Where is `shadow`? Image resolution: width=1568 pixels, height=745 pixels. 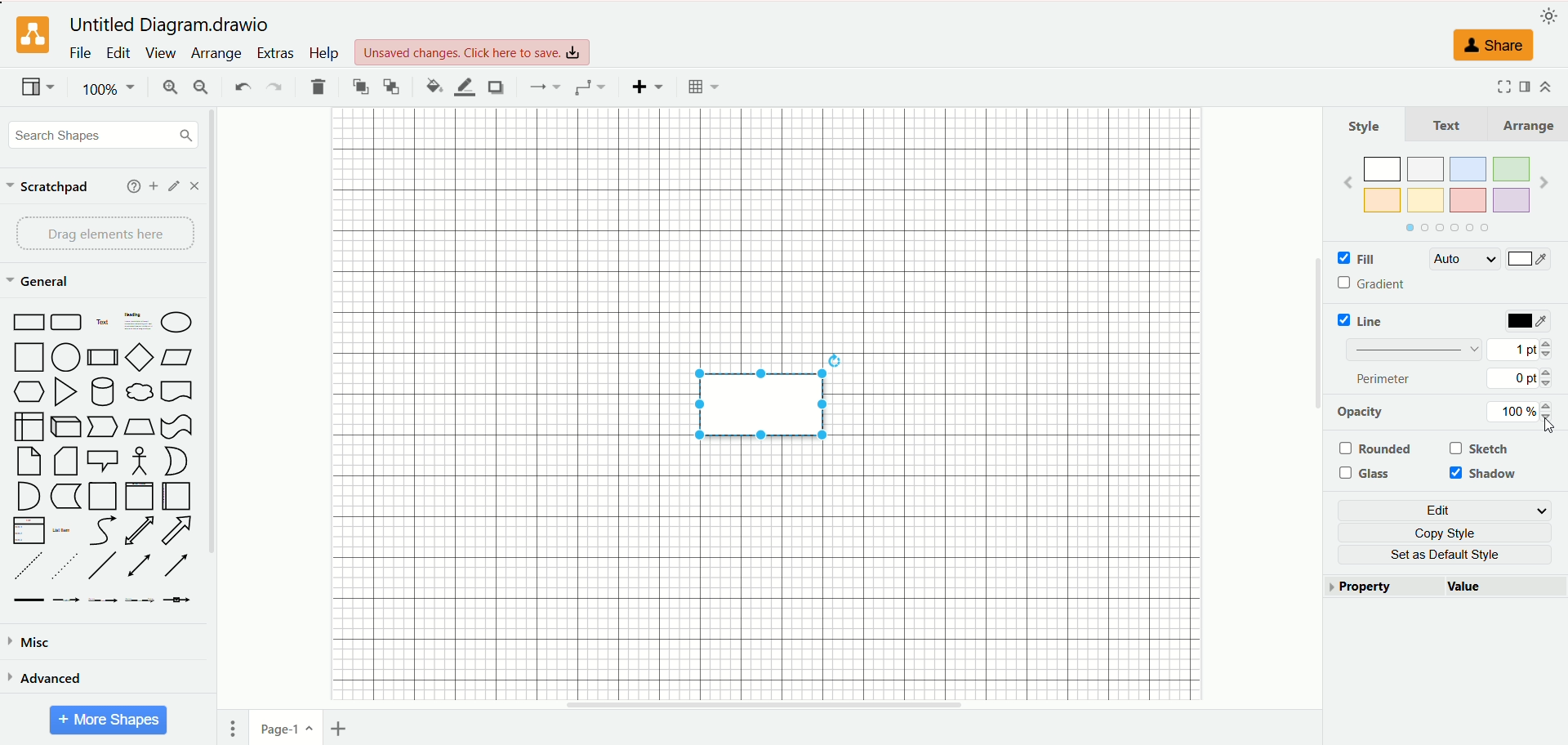 shadow is located at coordinates (1486, 475).